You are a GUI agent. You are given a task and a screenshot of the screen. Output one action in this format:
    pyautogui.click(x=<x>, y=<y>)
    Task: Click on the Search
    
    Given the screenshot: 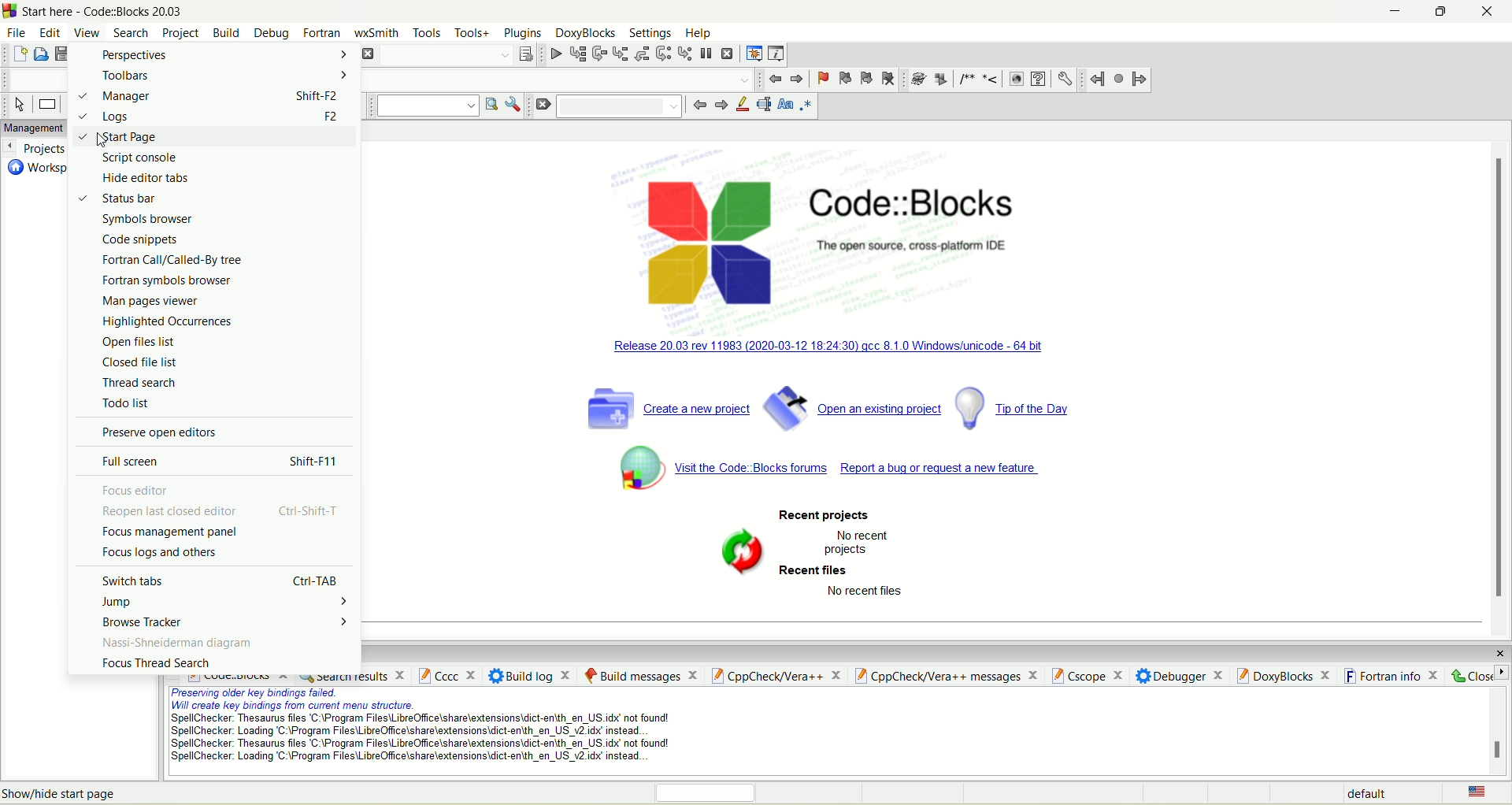 What is the action you would take?
    pyautogui.click(x=441, y=55)
    